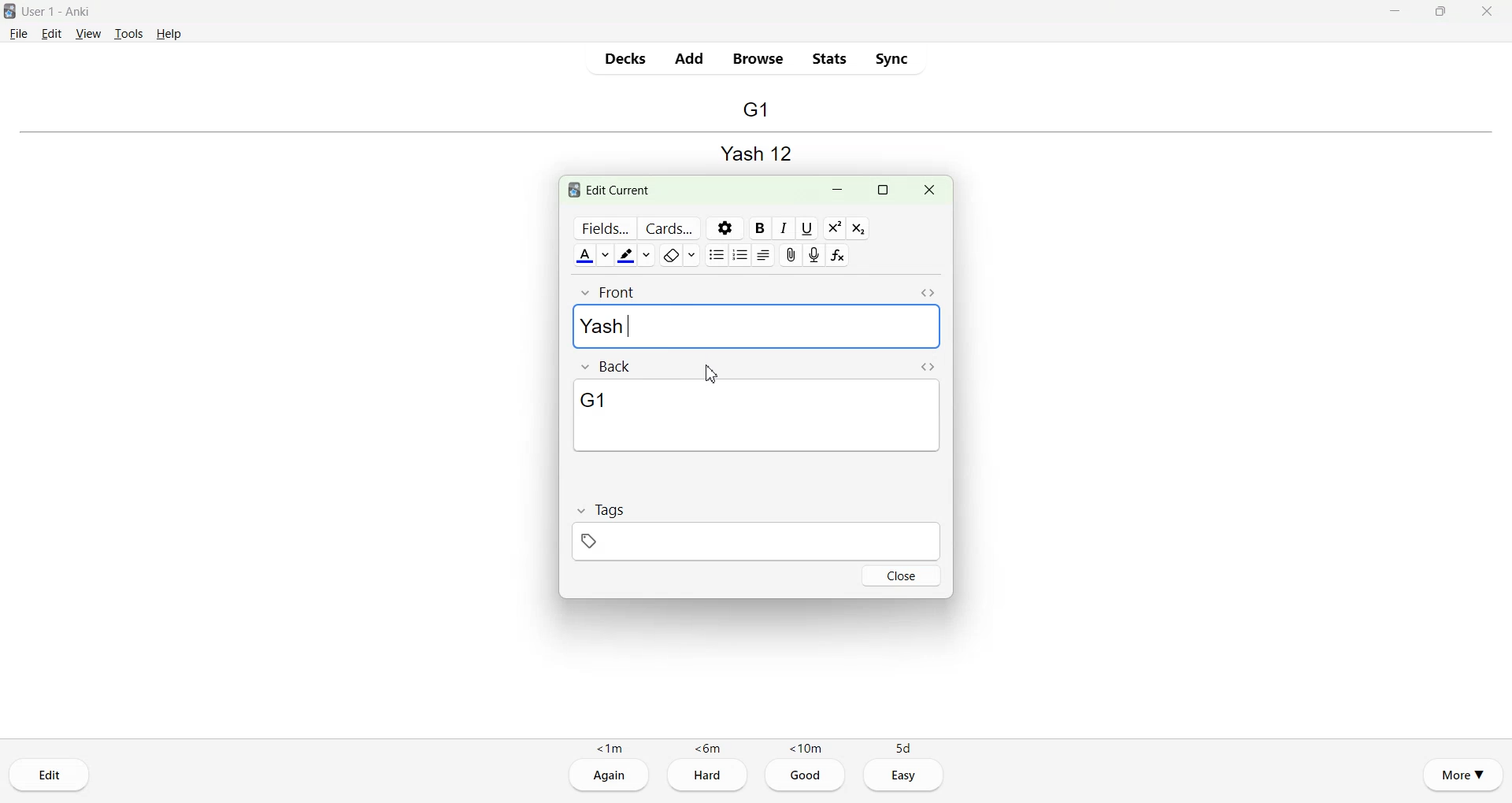  Describe the element at coordinates (672, 255) in the screenshot. I see `Remove Formatting` at that location.